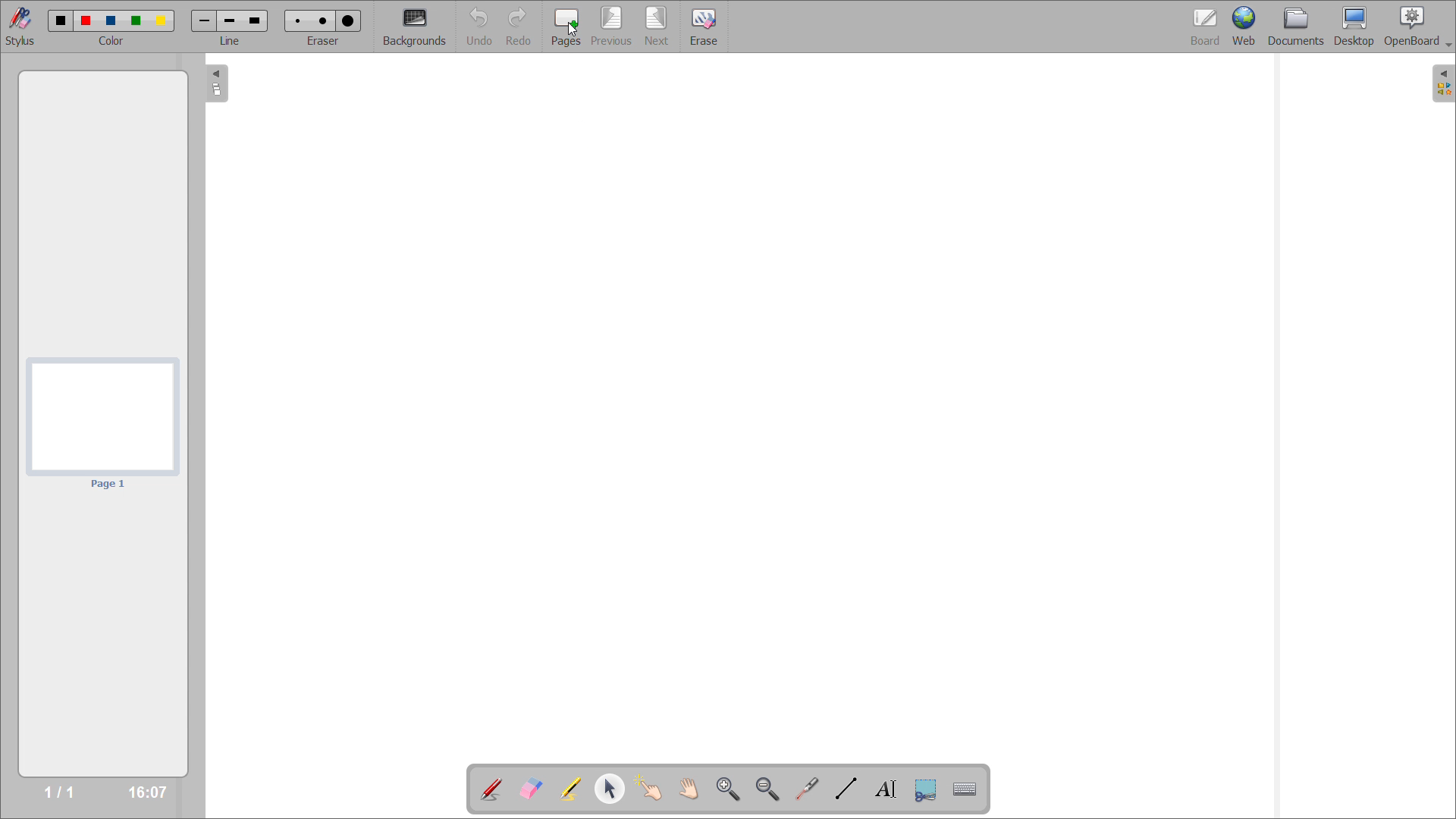  I want to click on desktop view, so click(1355, 27).